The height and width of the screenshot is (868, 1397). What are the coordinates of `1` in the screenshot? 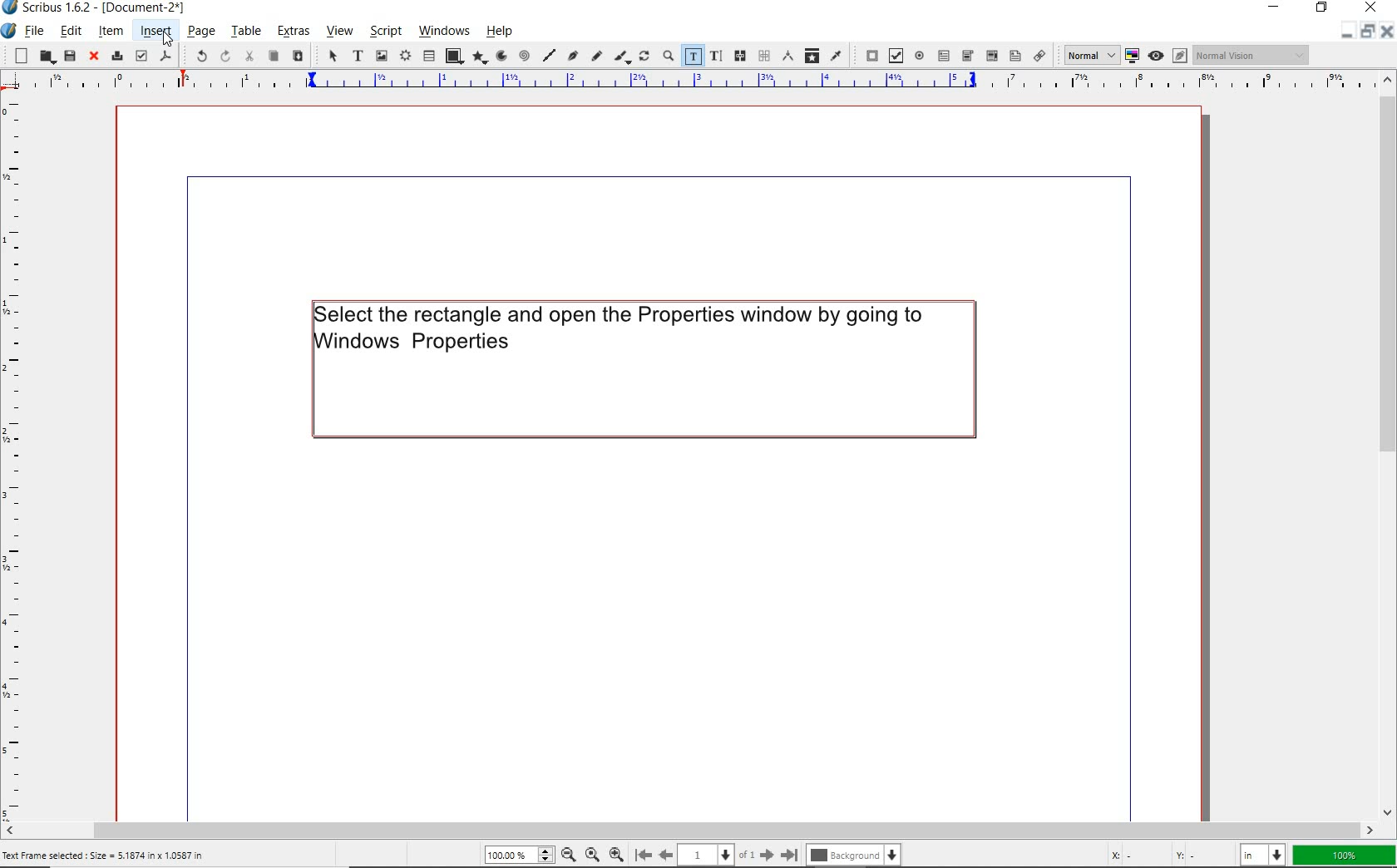 It's located at (706, 852).